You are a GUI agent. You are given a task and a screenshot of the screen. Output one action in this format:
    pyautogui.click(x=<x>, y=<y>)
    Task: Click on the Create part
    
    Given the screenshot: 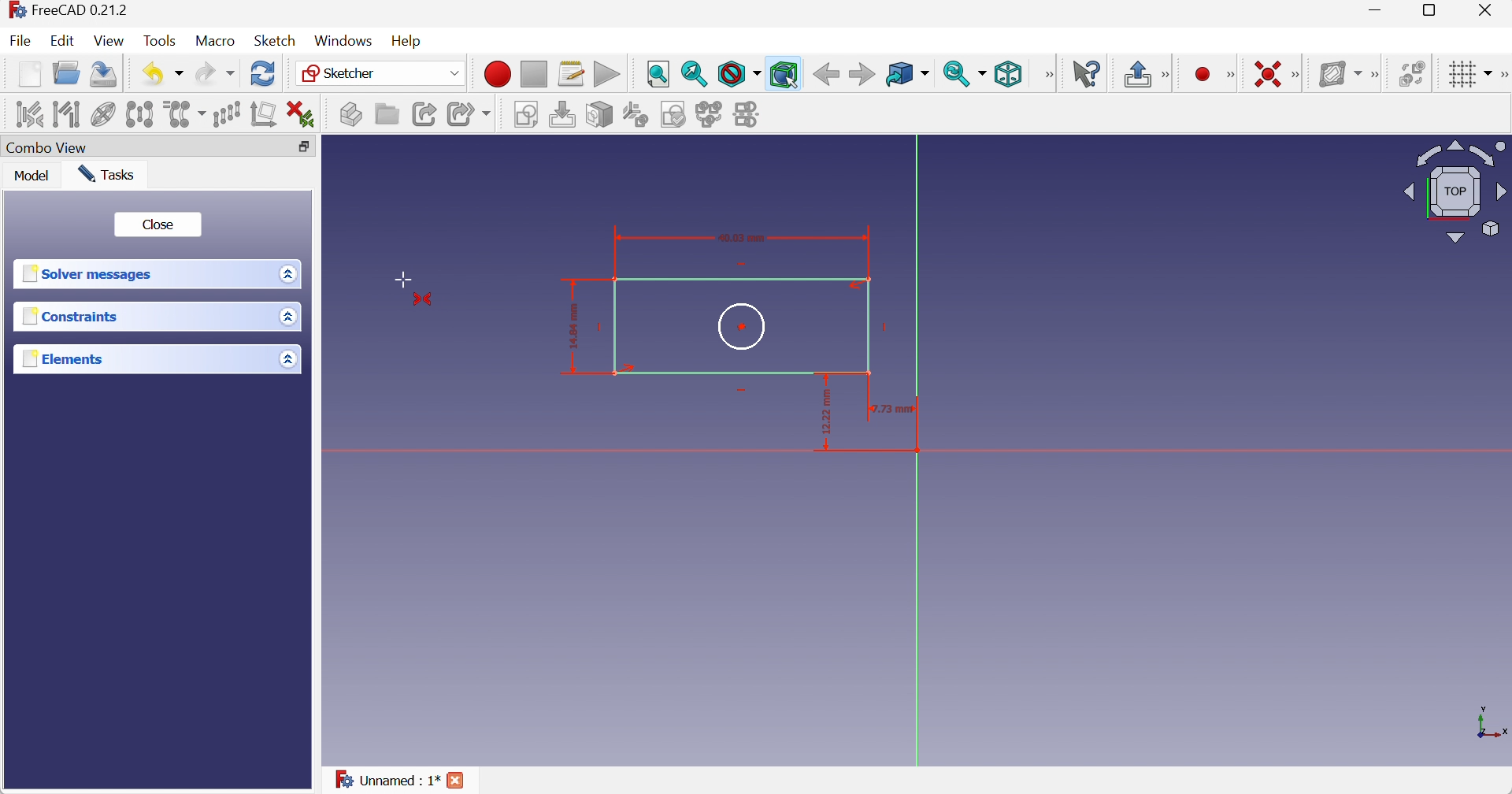 What is the action you would take?
    pyautogui.click(x=350, y=113)
    